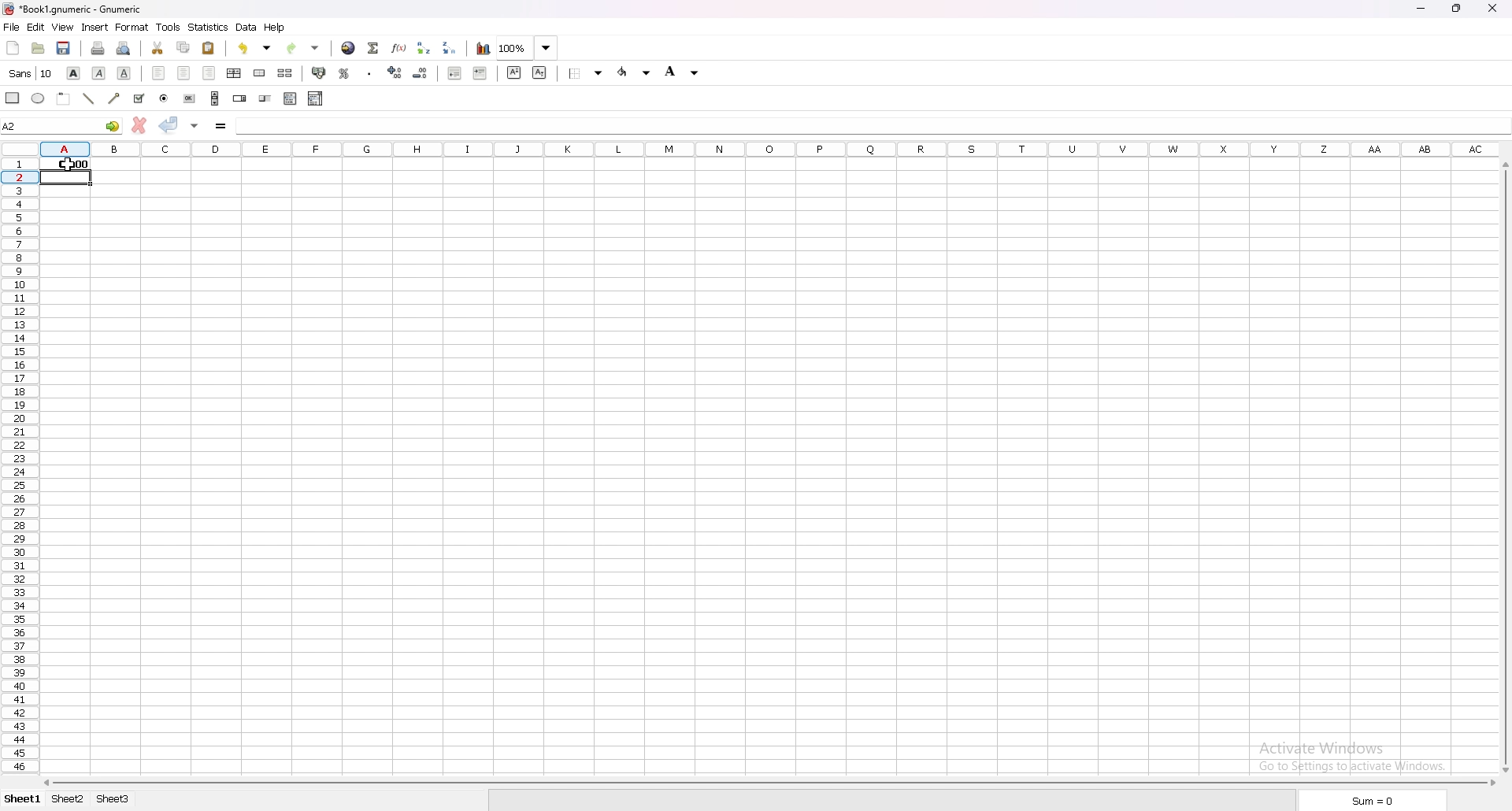  What do you see at coordinates (239, 97) in the screenshot?
I see `spin button` at bounding box center [239, 97].